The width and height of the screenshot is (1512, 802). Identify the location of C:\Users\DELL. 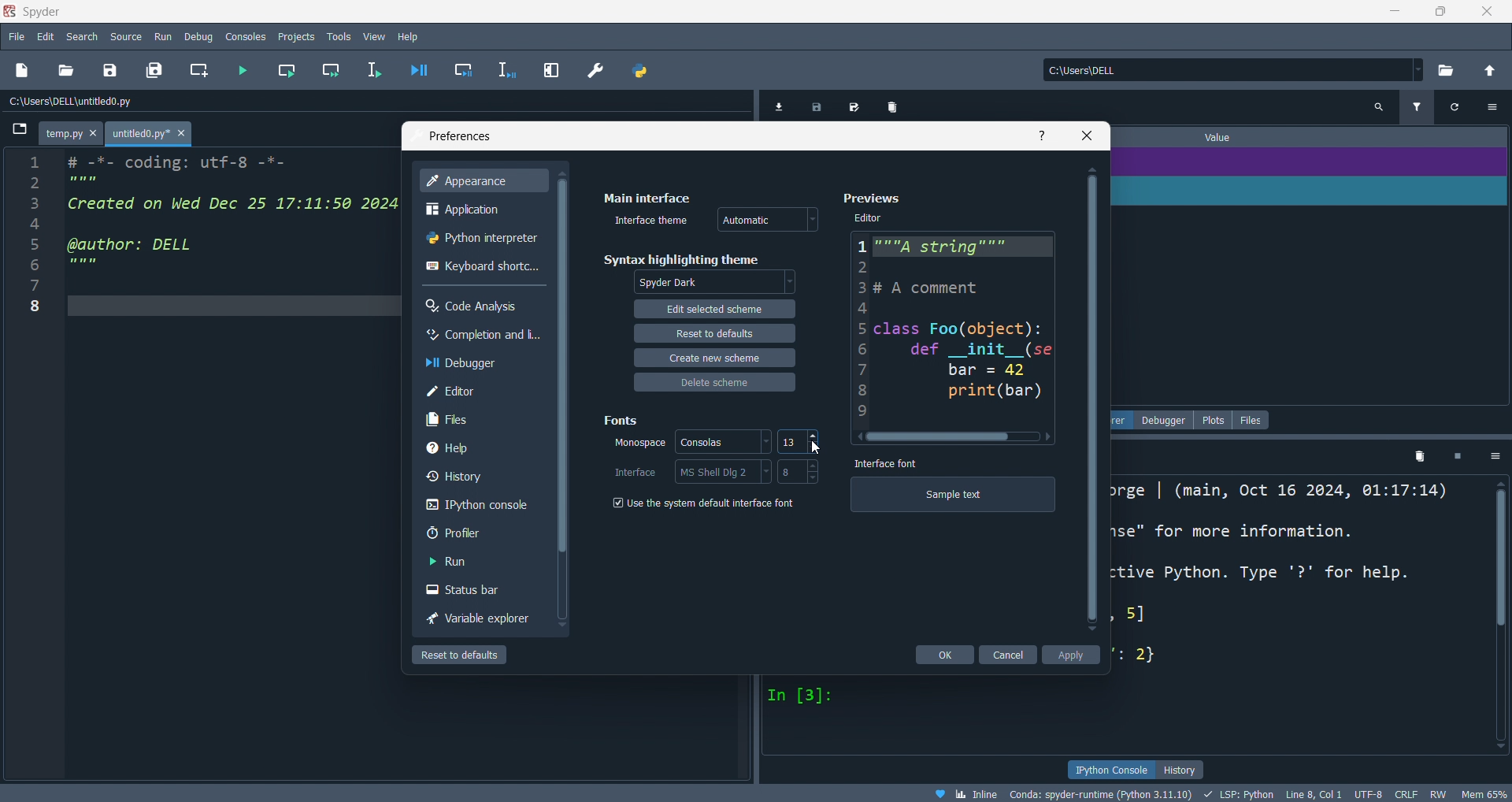
(1111, 69).